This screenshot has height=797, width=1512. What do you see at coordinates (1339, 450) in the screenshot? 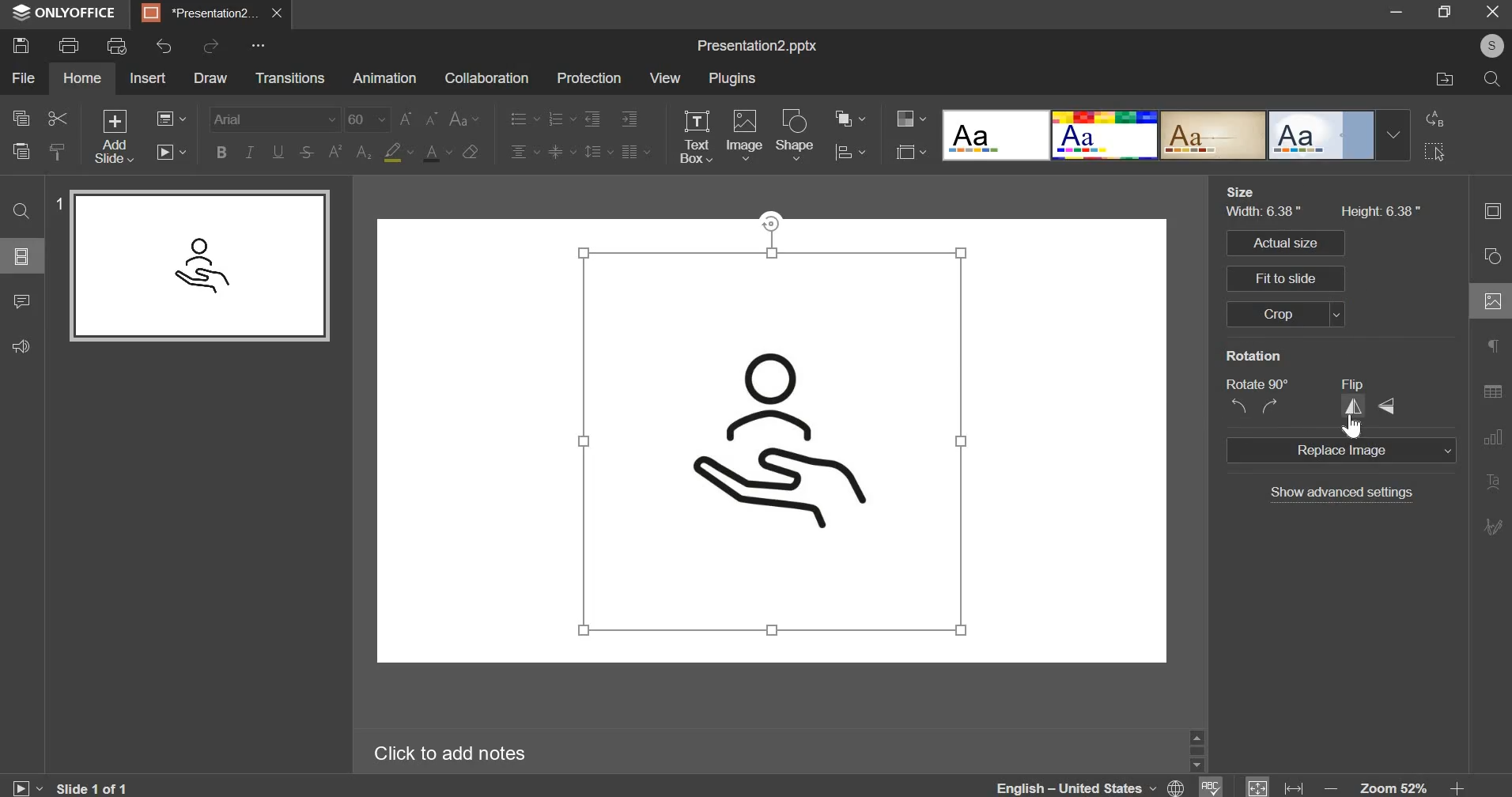
I see `replace` at bounding box center [1339, 450].